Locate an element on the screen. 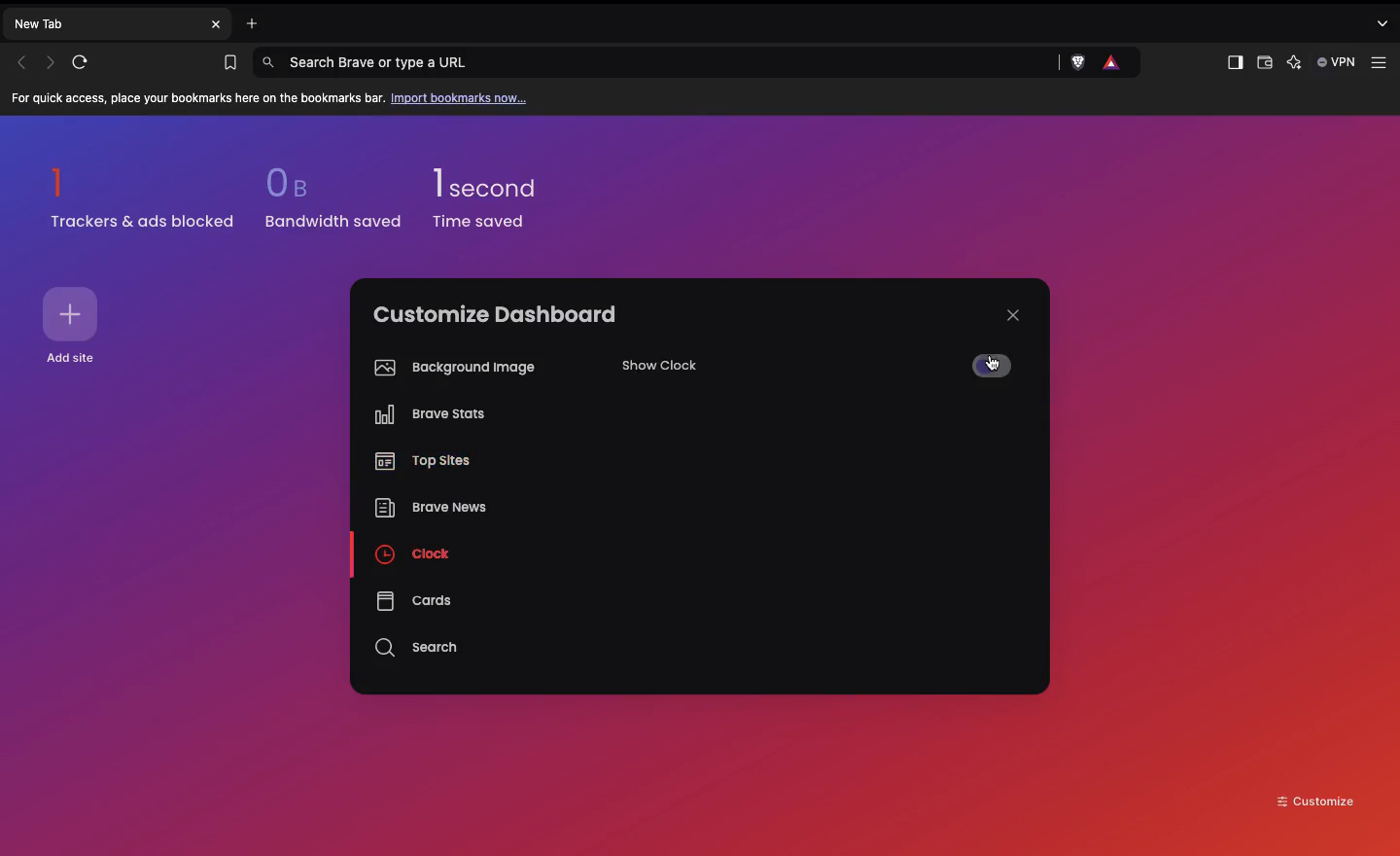 This screenshot has height=856, width=1400. Customize dashboard is located at coordinates (495, 314).